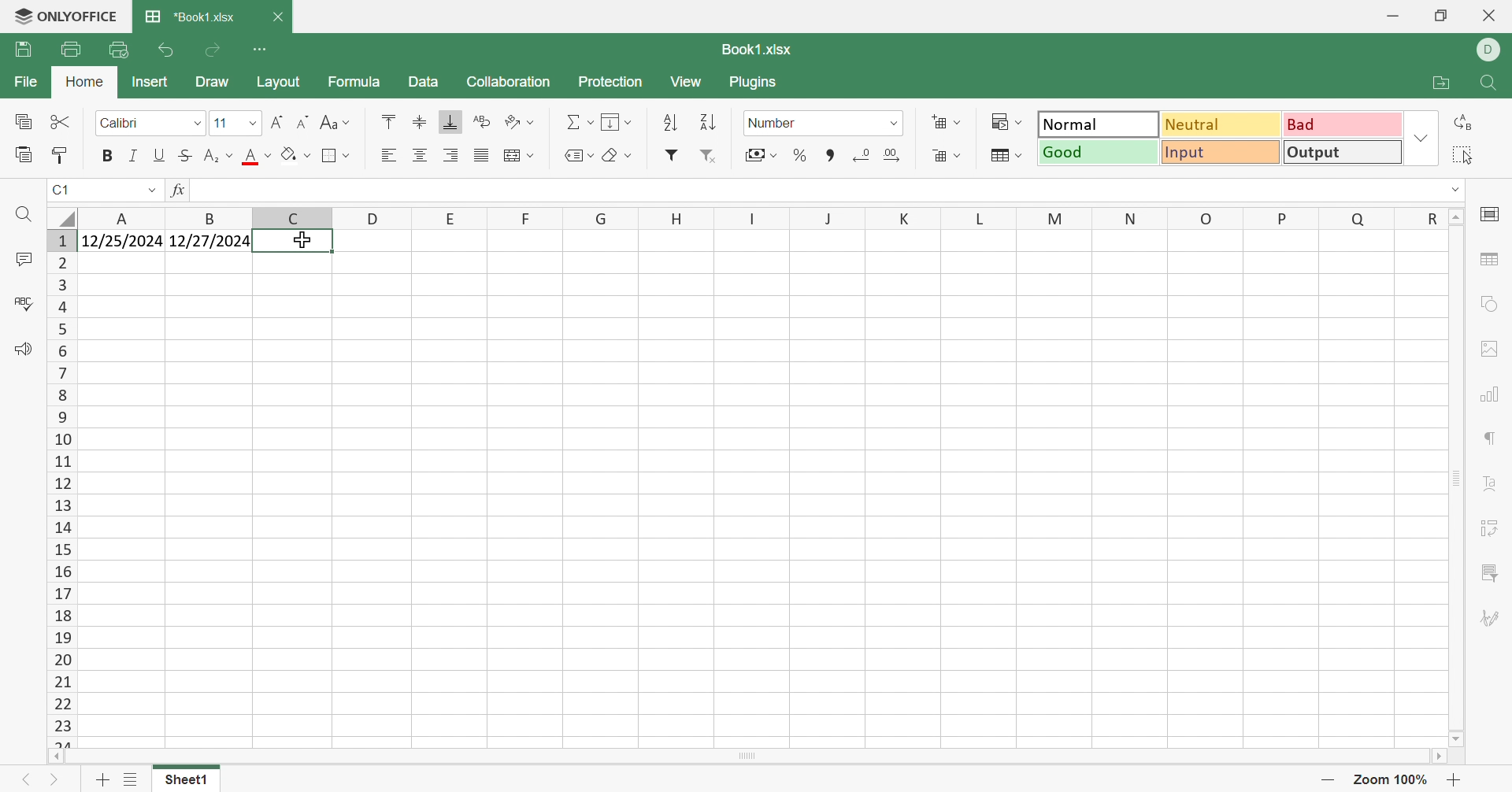  What do you see at coordinates (261, 49) in the screenshot?
I see `Customize Quick Access Toolbar` at bounding box center [261, 49].